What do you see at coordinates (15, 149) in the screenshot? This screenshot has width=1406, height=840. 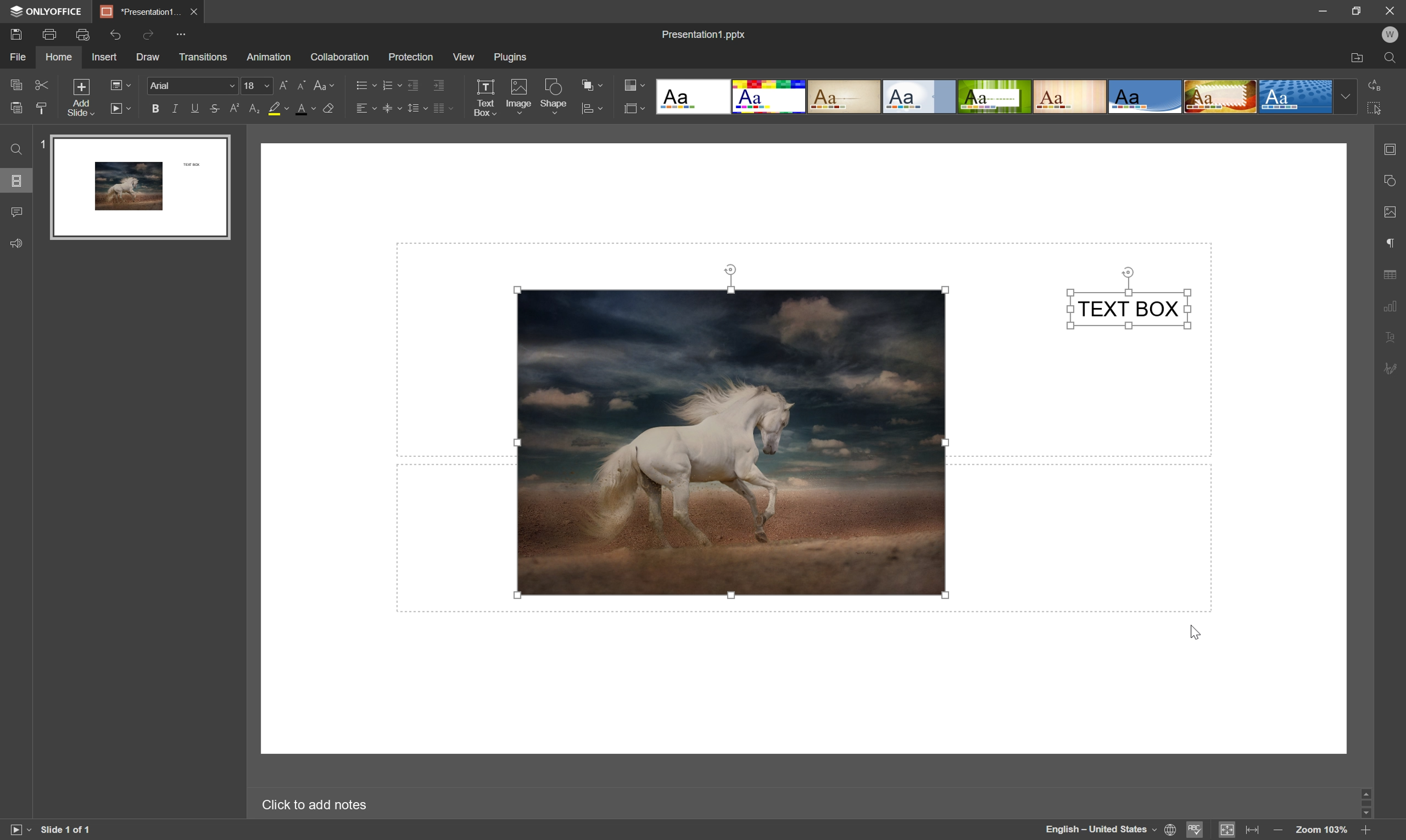 I see `find` at bounding box center [15, 149].